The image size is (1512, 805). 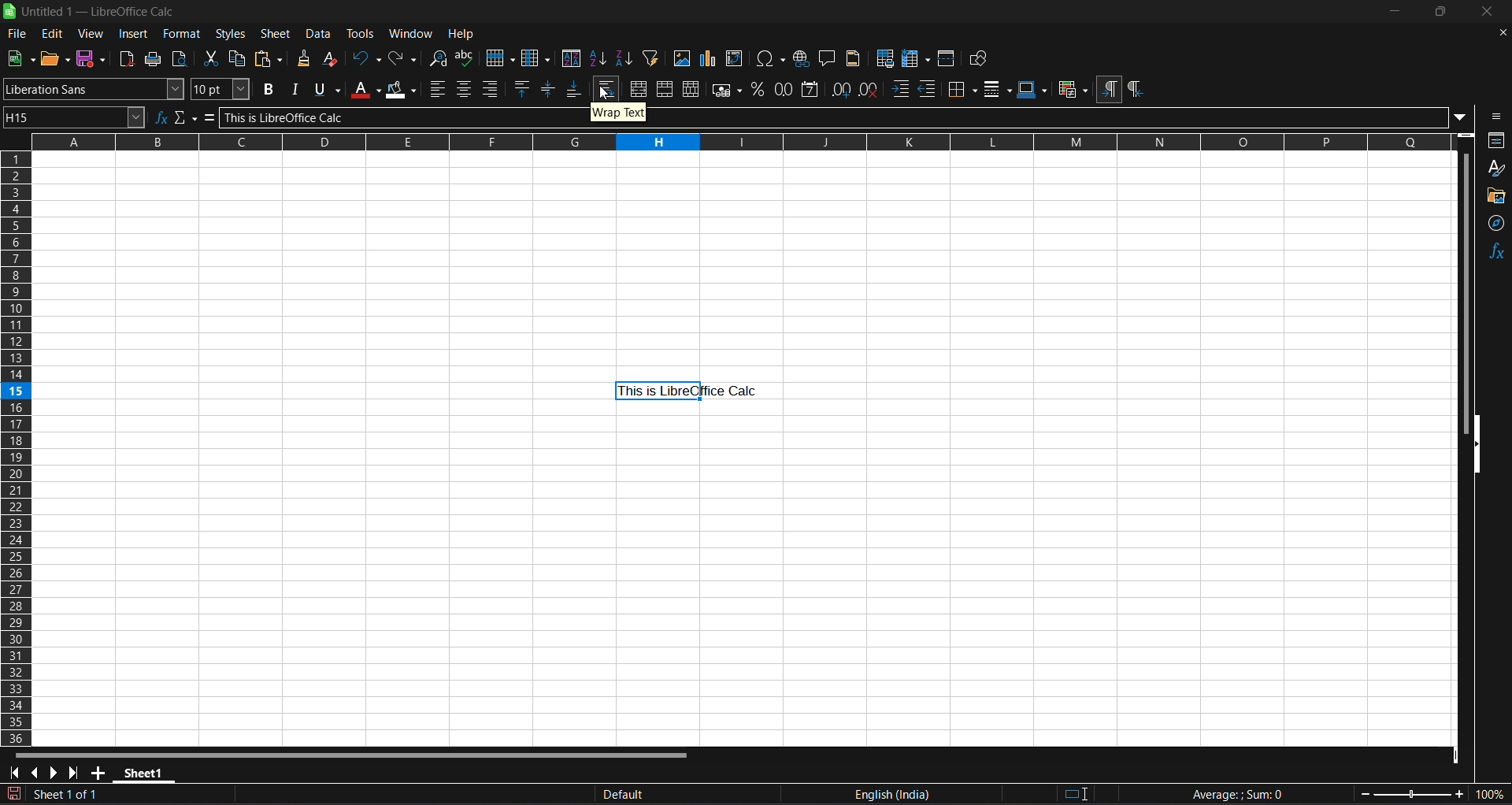 I want to click on headers and footers, so click(x=853, y=58).